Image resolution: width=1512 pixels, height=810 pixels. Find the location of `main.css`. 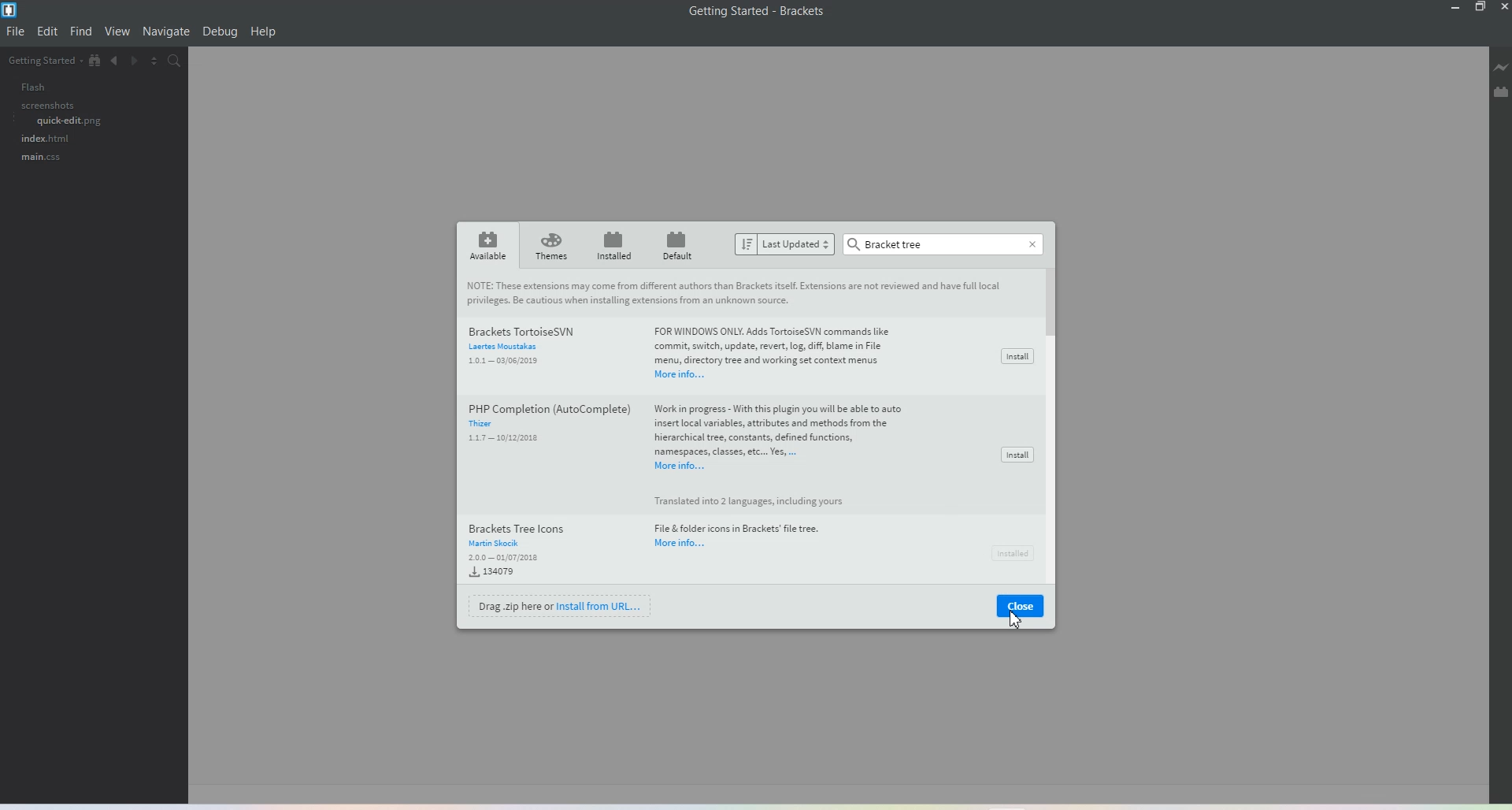

main.css is located at coordinates (35, 160).